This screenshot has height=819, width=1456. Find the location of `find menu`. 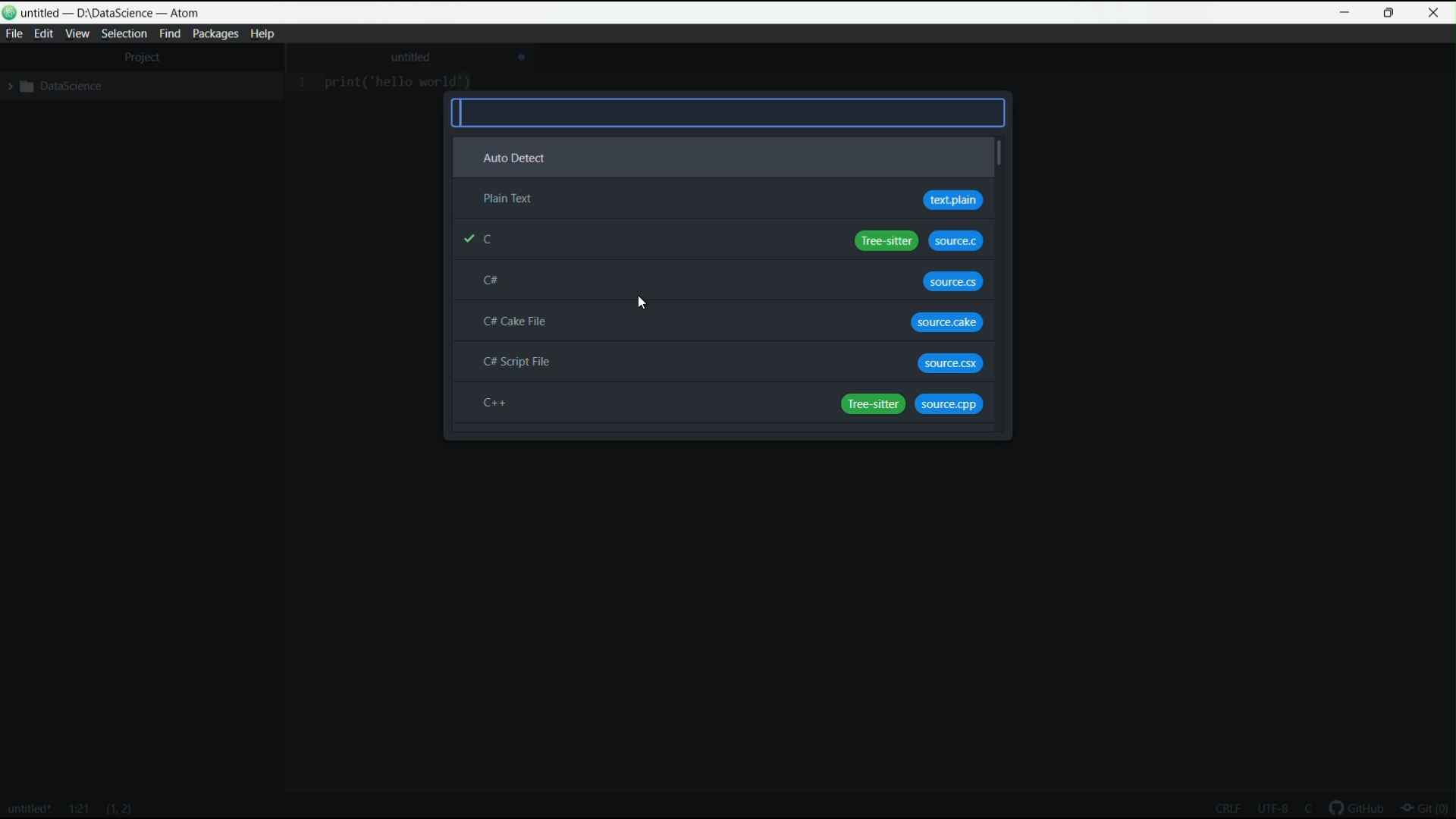

find menu is located at coordinates (171, 34).